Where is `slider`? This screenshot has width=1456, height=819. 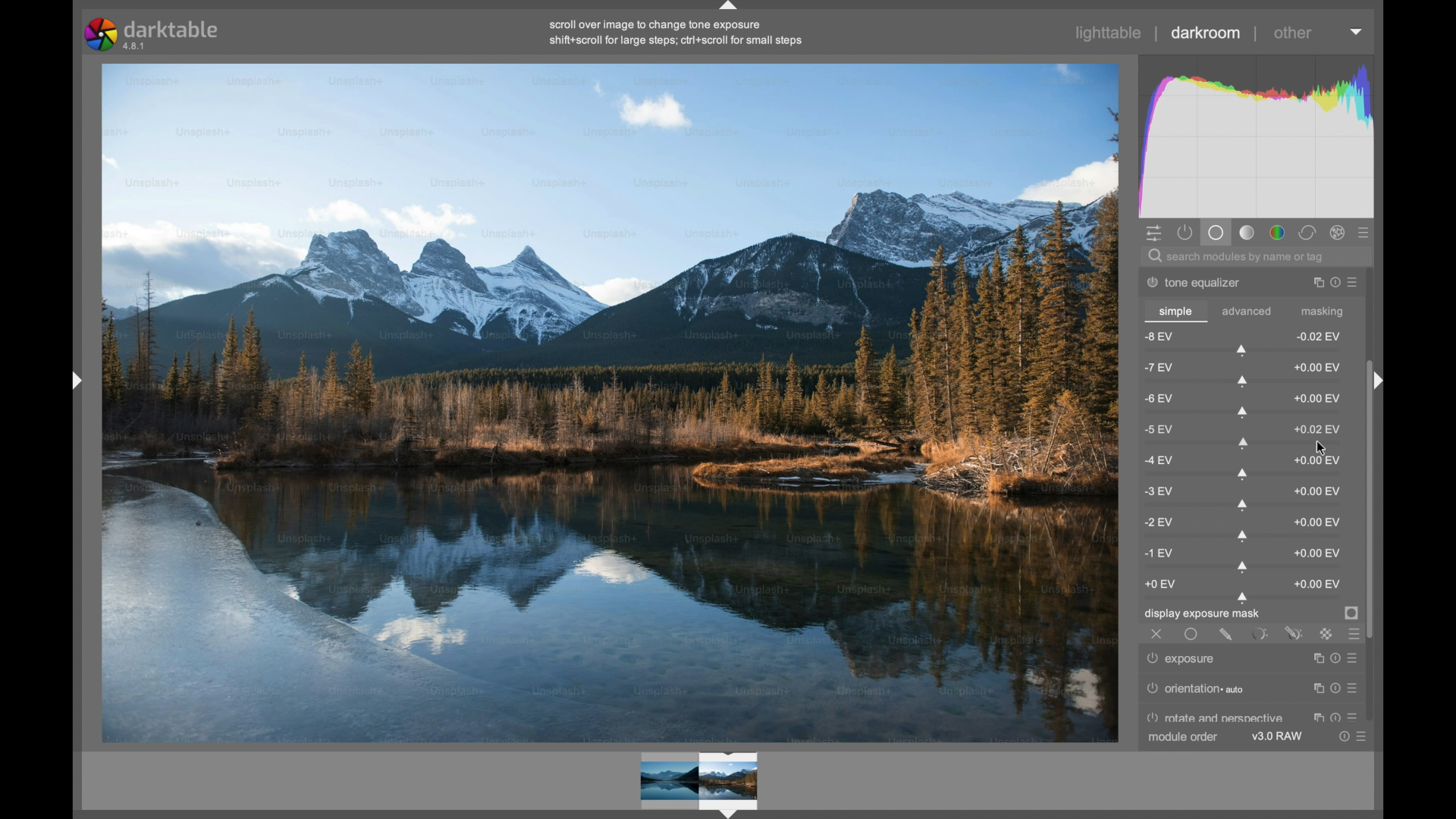 slider is located at coordinates (1244, 413).